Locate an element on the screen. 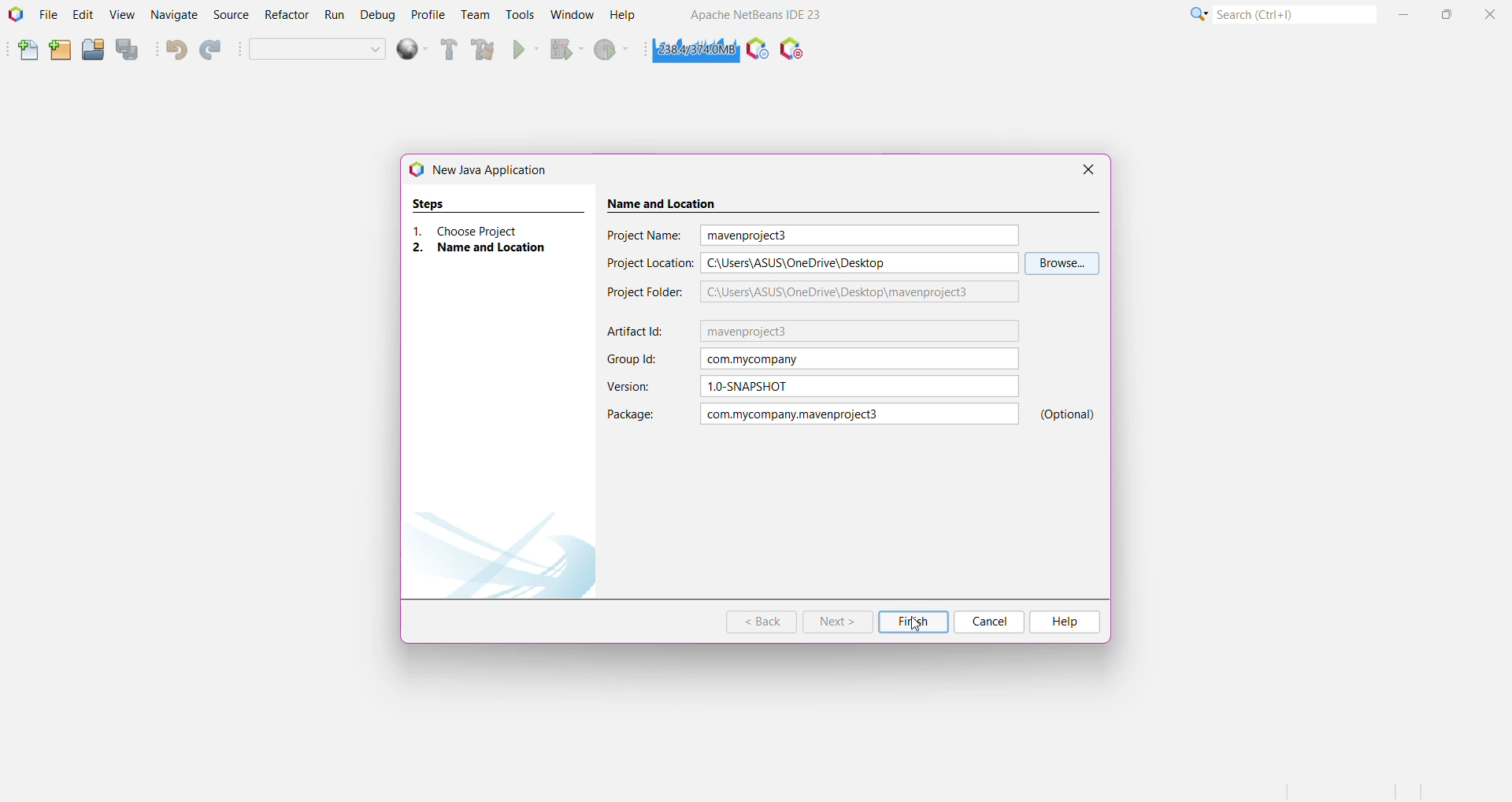 This screenshot has height=802, width=1512. Project Folder is located at coordinates (647, 292).